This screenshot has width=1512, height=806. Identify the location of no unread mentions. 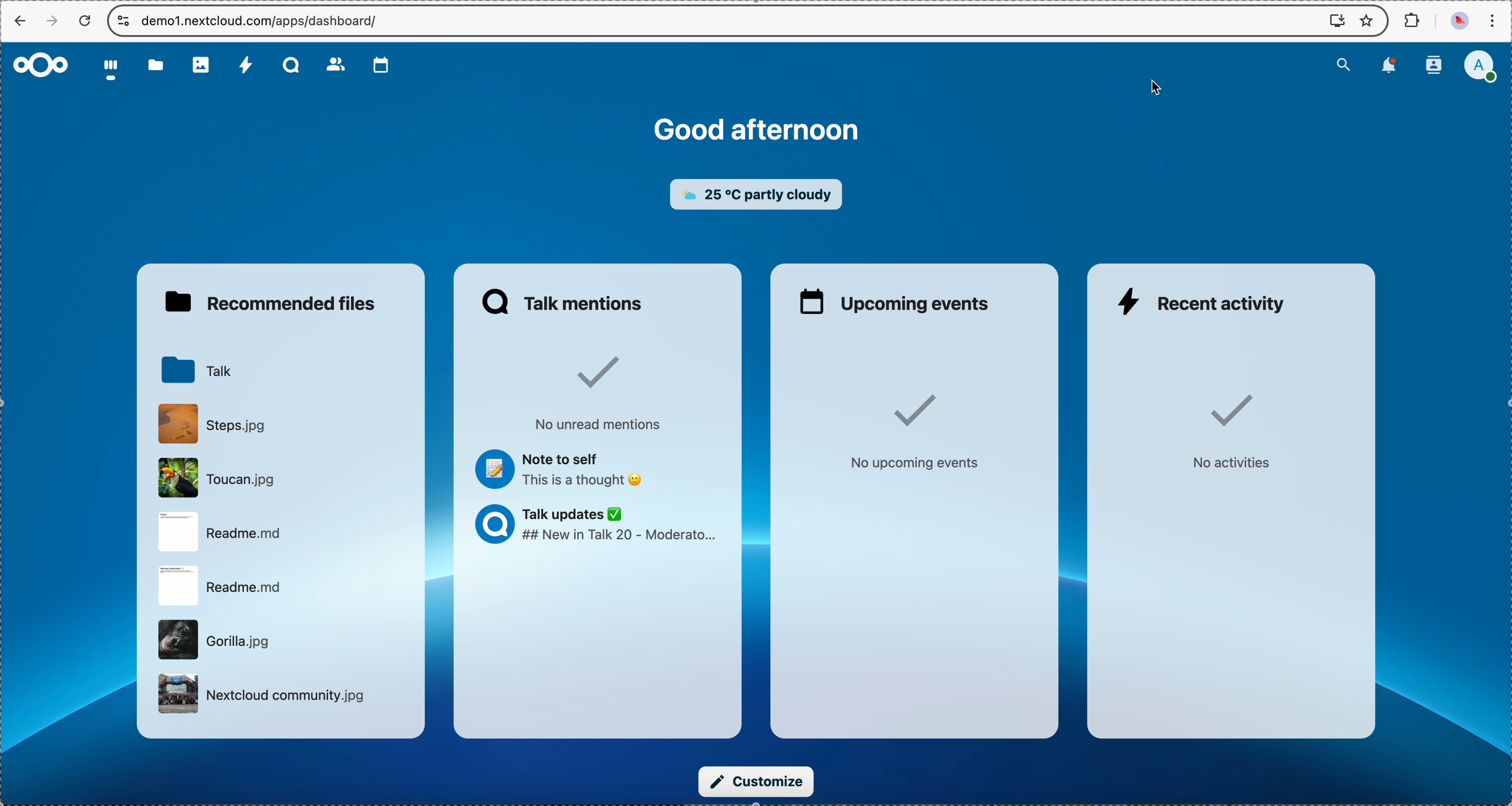
(599, 393).